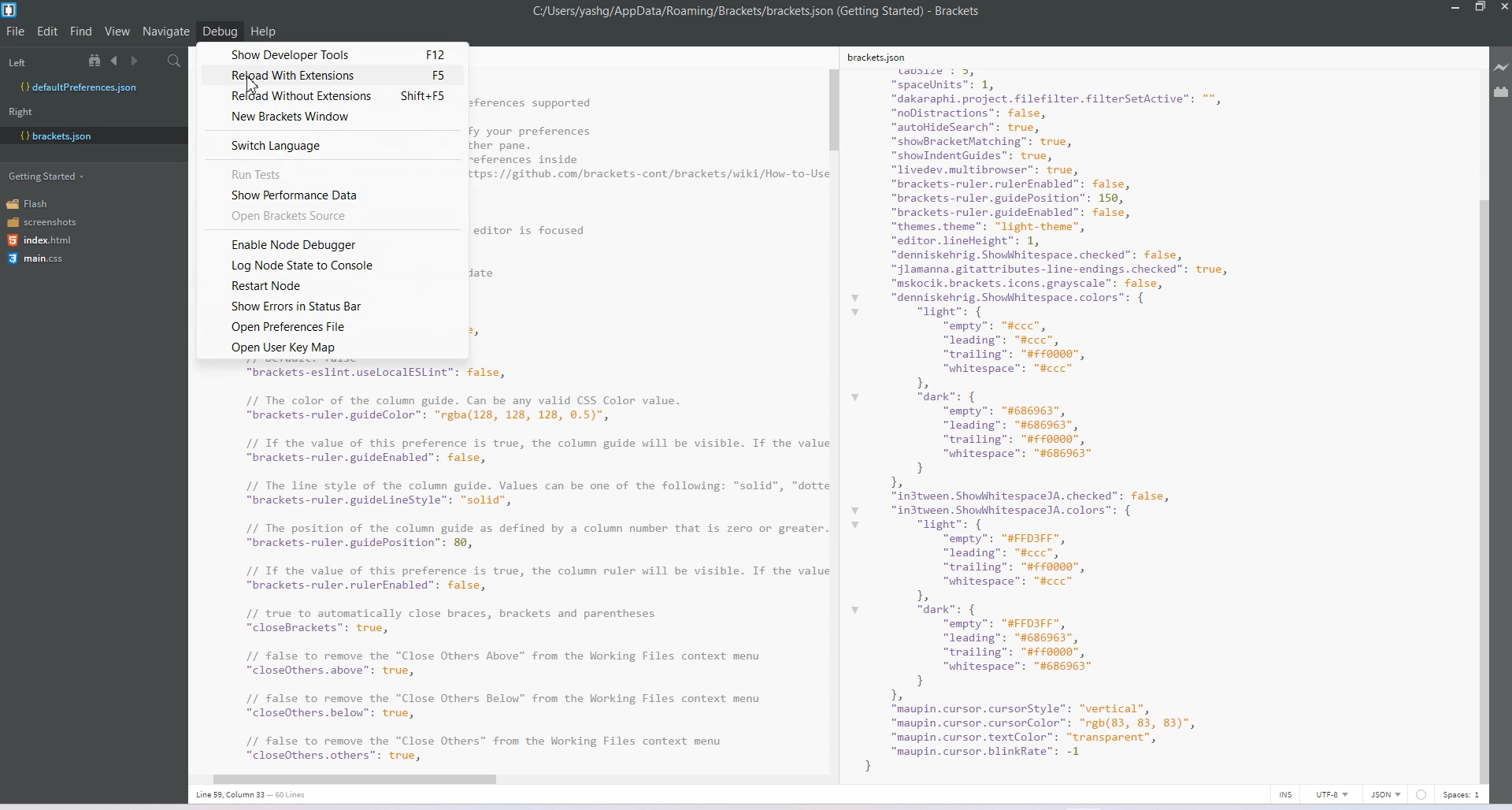 The width and height of the screenshot is (1512, 810). Describe the element at coordinates (329, 285) in the screenshot. I see `restart Node` at that location.